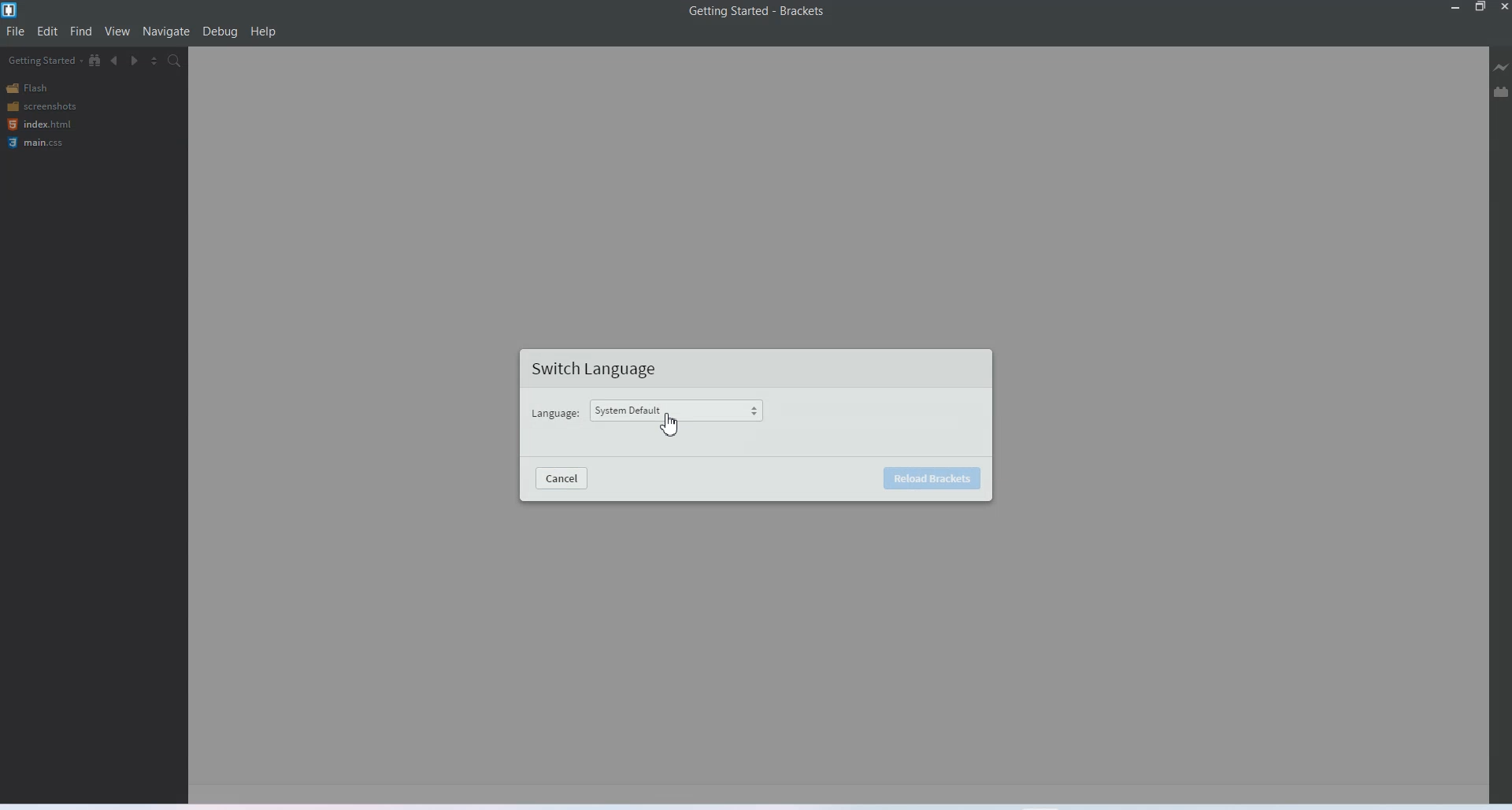  I want to click on Index, so click(38, 124).